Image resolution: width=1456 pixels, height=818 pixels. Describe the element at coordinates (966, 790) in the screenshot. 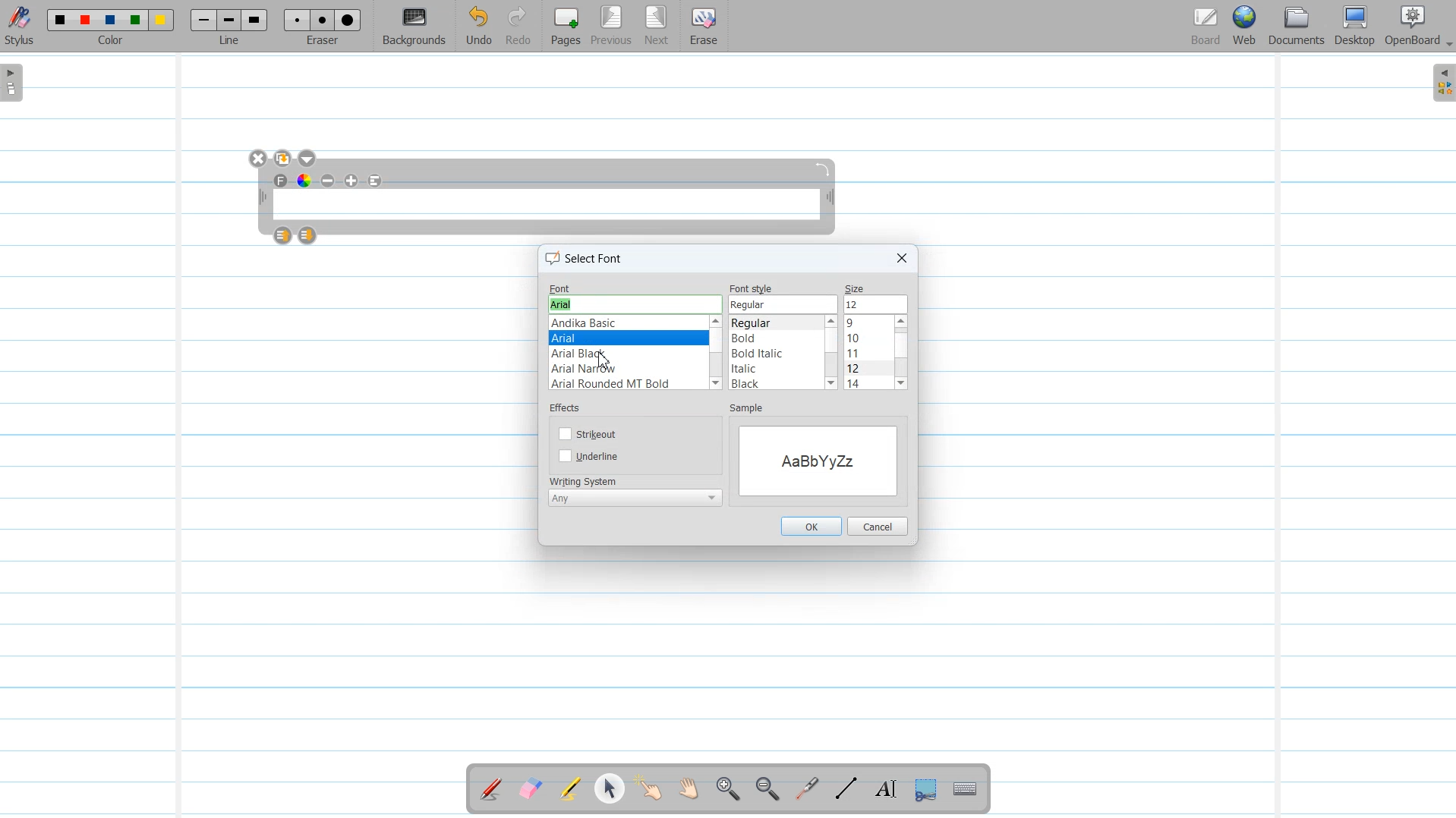

I see `Display virtual Keyboard` at that location.